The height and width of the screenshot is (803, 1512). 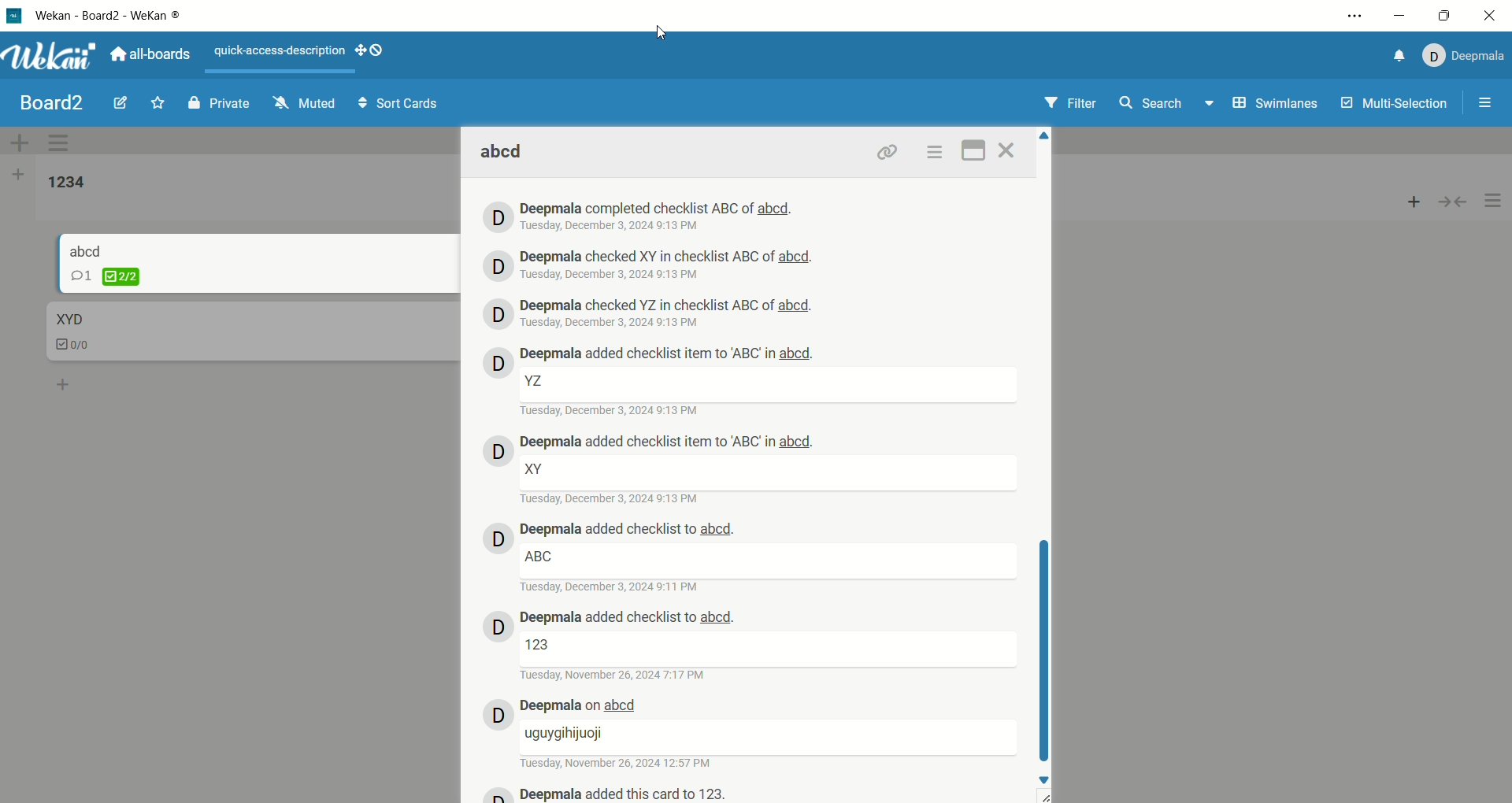 What do you see at coordinates (616, 675) in the screenshot?
I see `date and time` at bounding box center [616, 675].